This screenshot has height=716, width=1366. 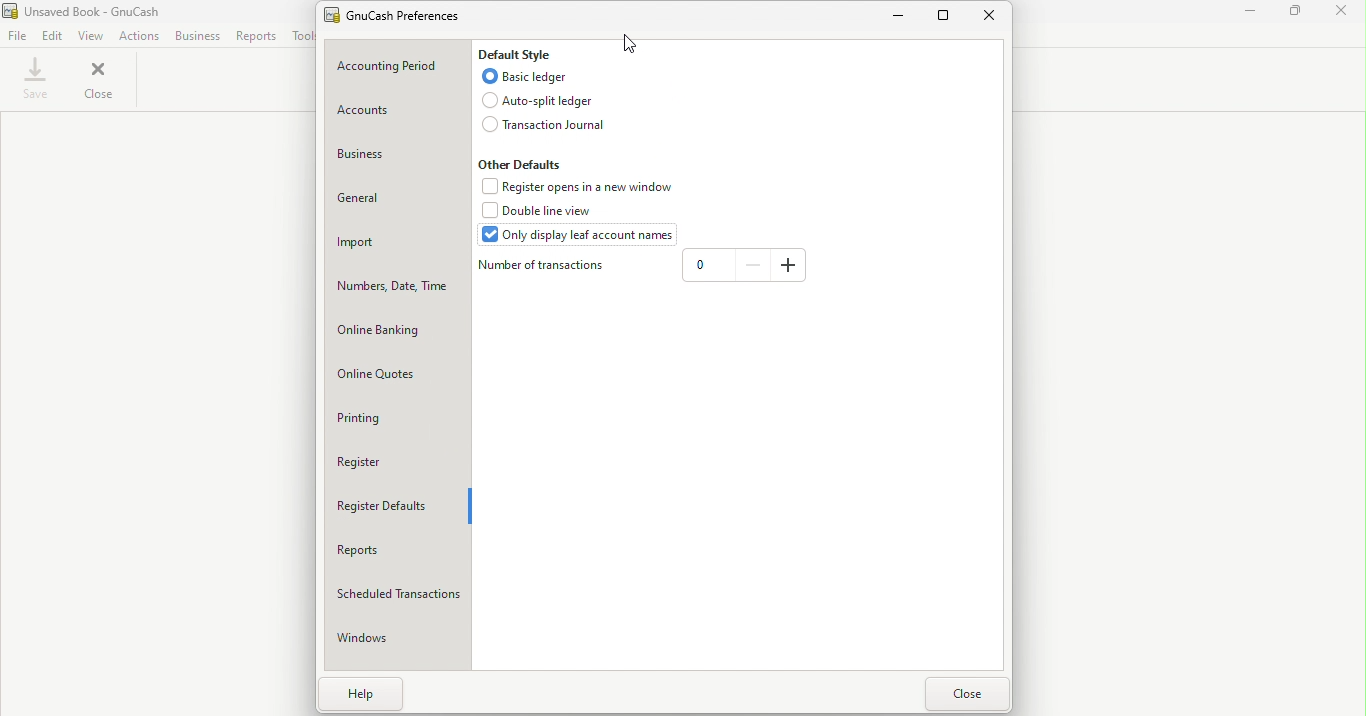 I want to click on Double line view, so click(x=543, y=211).